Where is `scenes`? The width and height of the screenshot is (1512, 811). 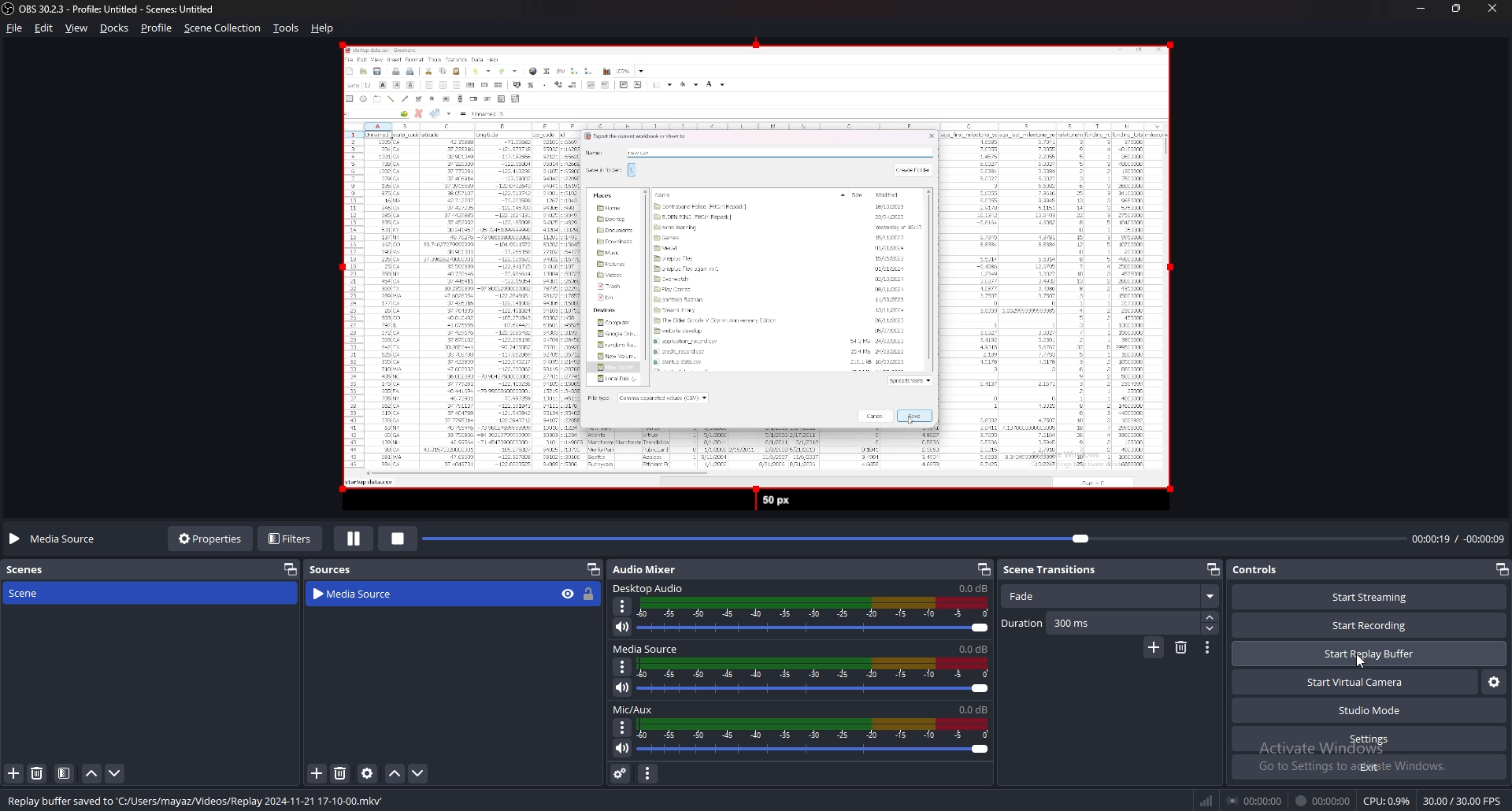 scenes is located at coordinates (34, 571).